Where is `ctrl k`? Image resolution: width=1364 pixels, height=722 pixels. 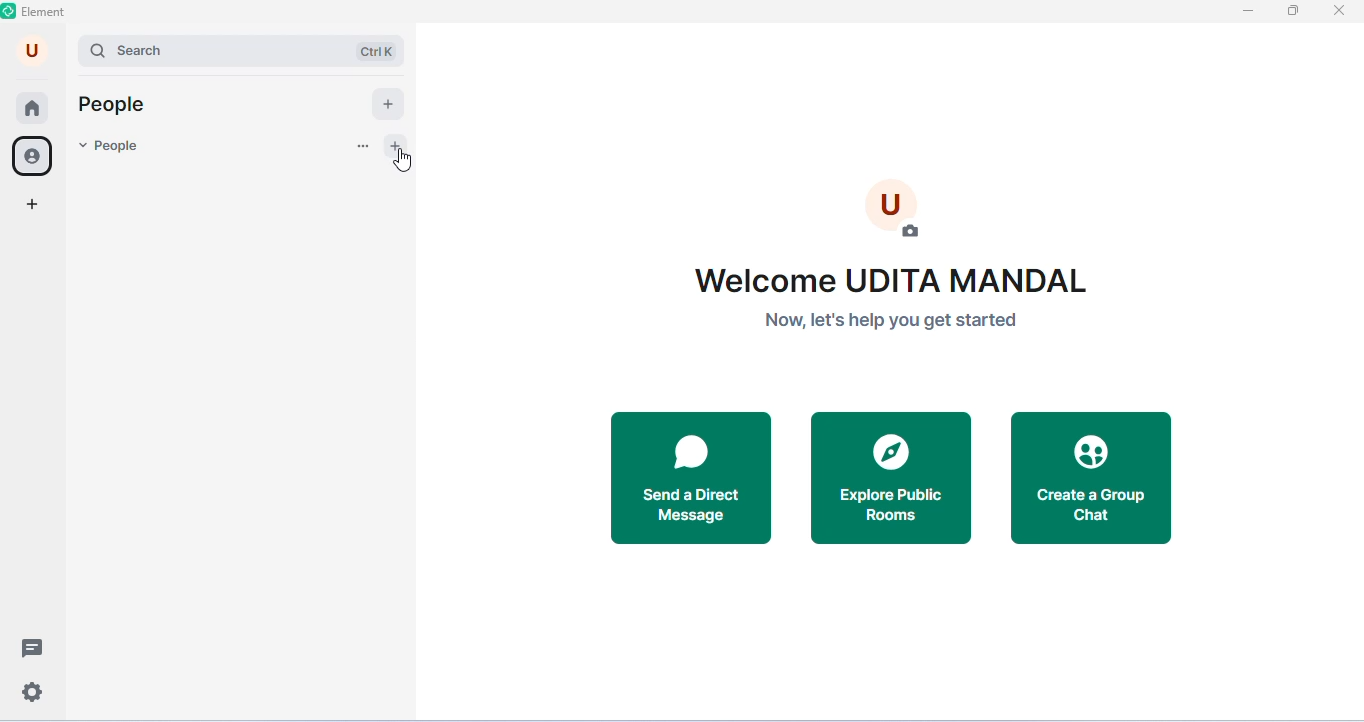
ctrl k is located at coordinates (379, 51).